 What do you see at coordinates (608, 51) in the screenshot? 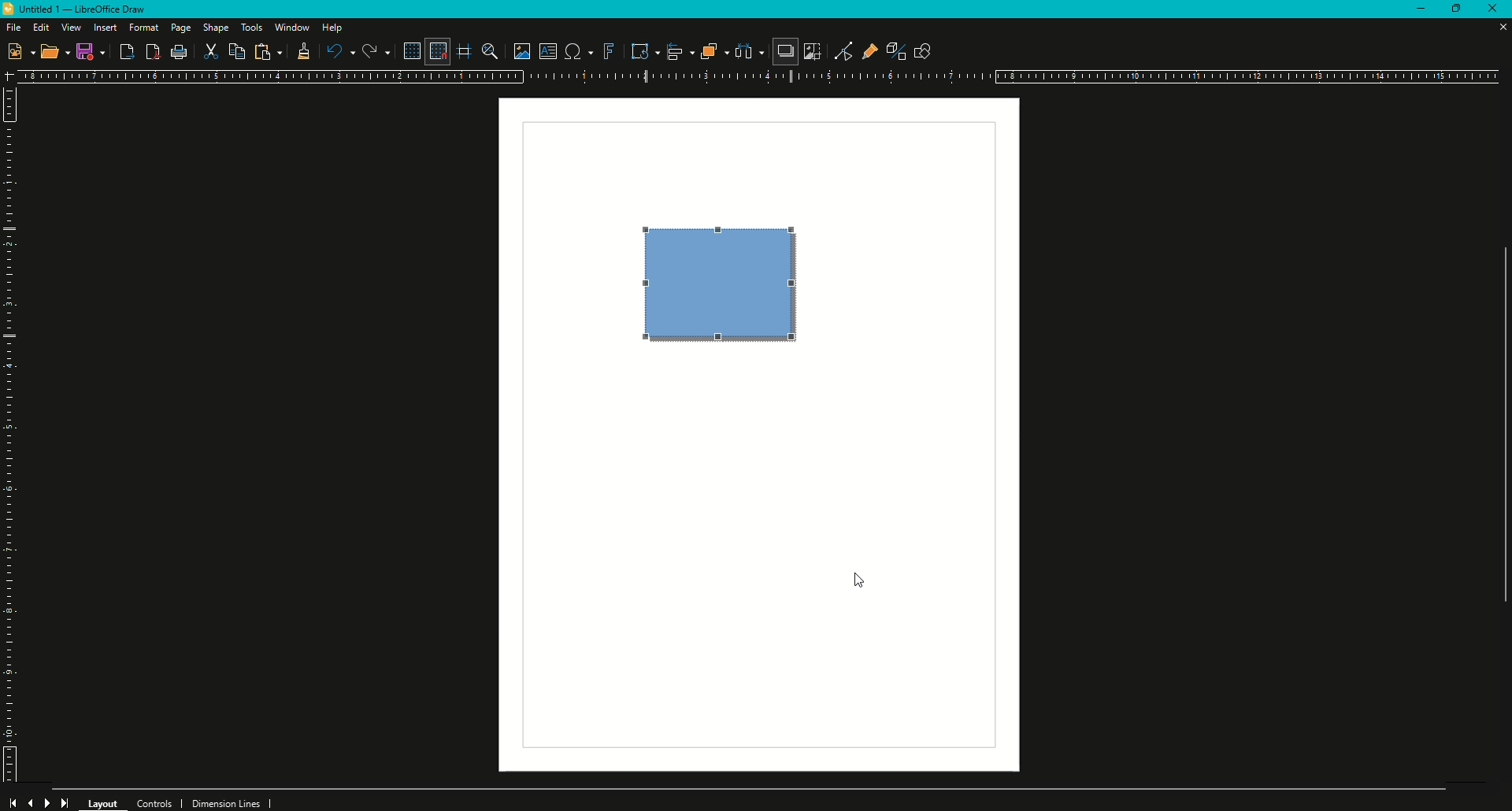
I see `Insert Fontwork Text` at bounding box center [608, 51].